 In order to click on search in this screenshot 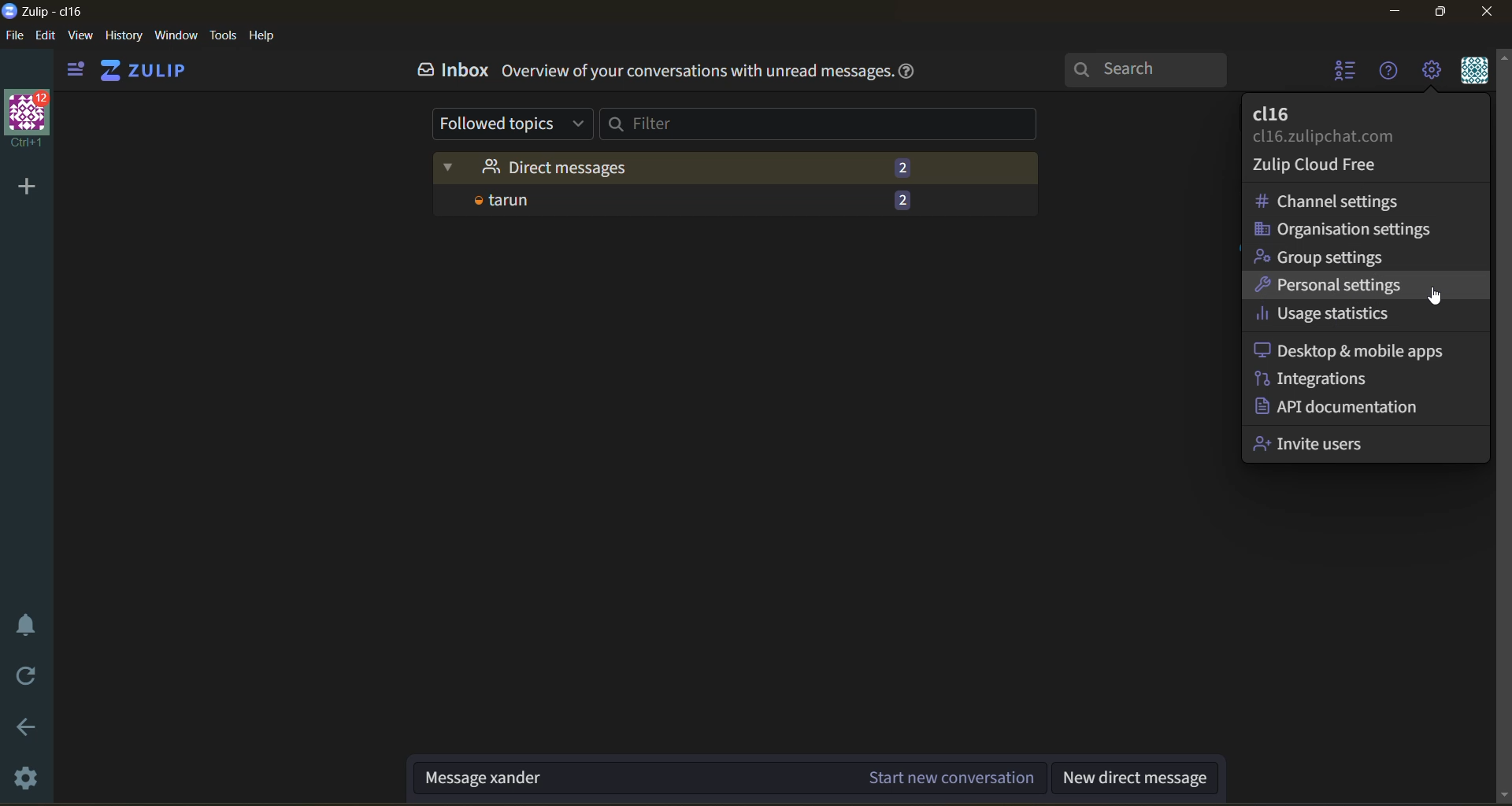, I will do `click(1151, 68)`.